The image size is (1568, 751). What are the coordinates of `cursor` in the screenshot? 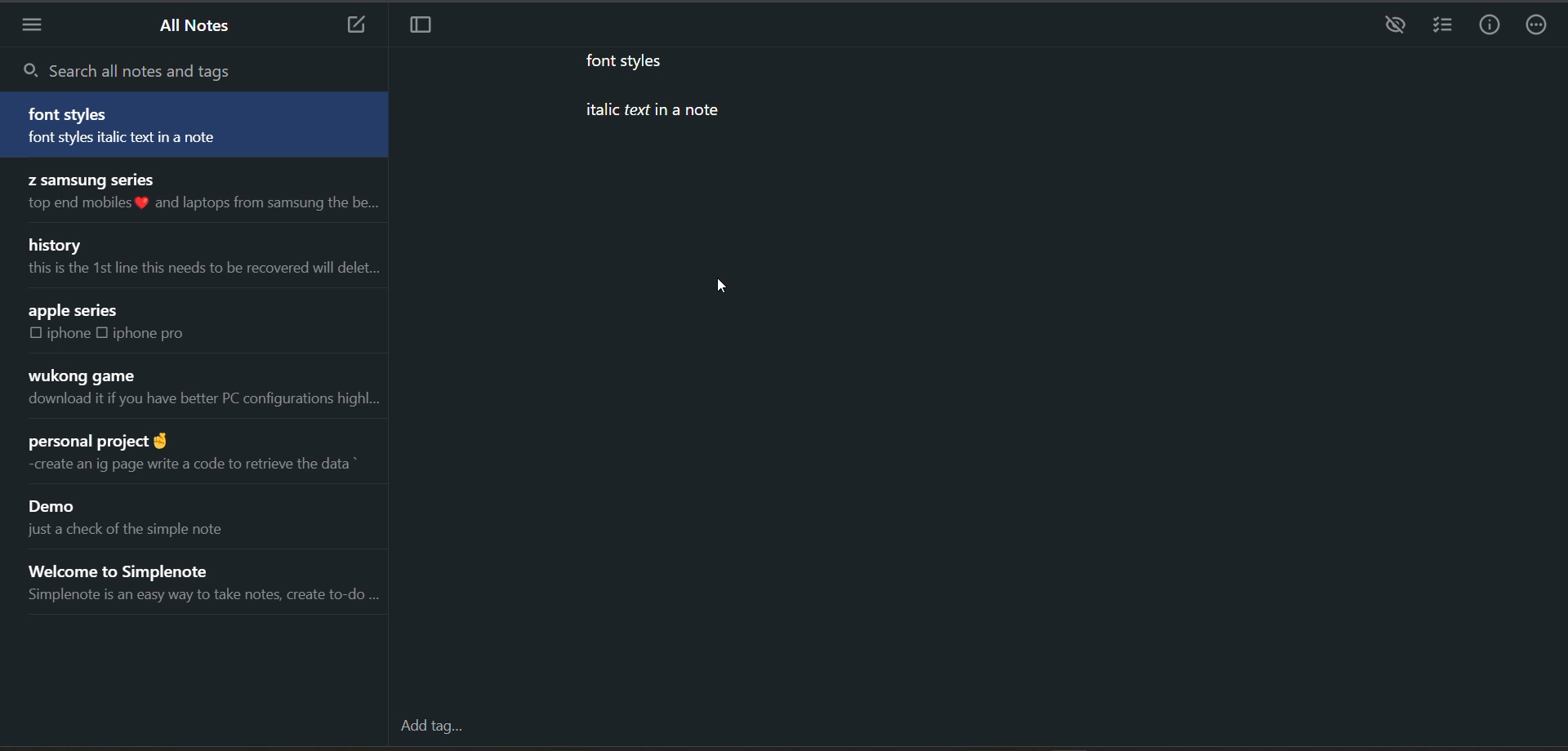 It's located at (720, 284).